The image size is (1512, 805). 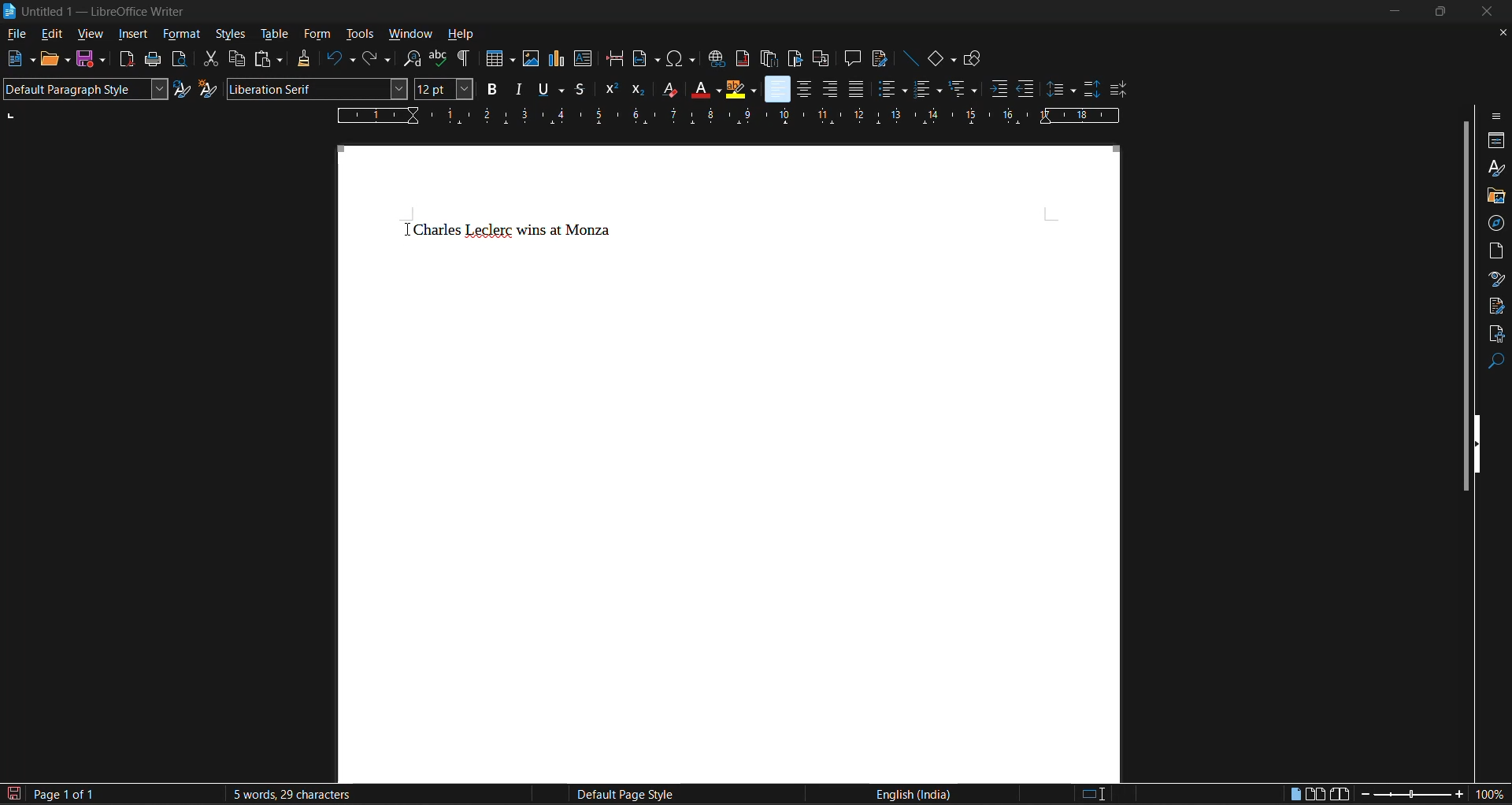 I want to click on character highlighting yellow, so click(x=741, y=90).